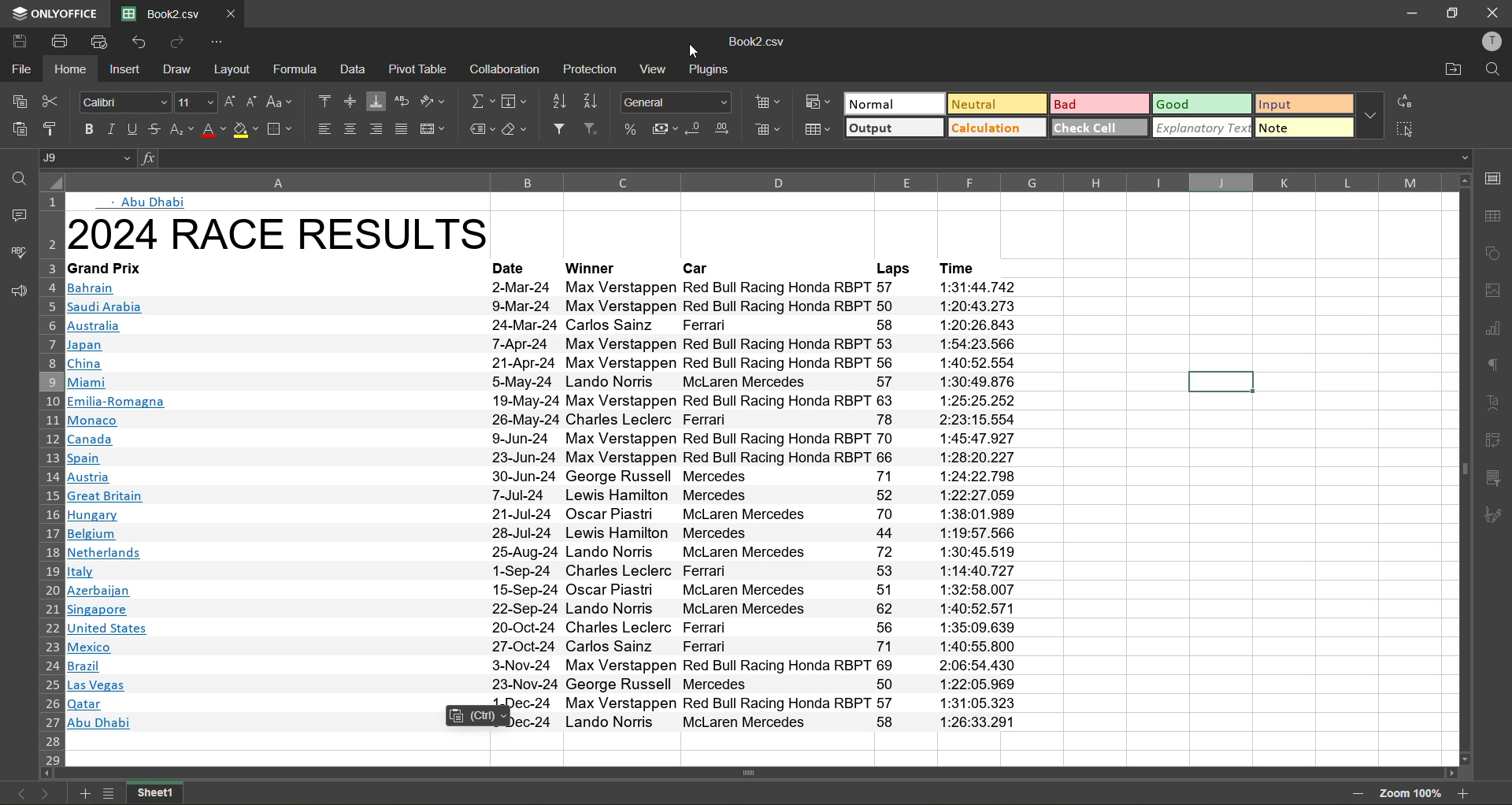 This screenshot has width=1512, height=805. What do you see at coordinates (1462, 469) in the screenshot?
I see `vertical scrollbar` at bounding box center [1462, 469].